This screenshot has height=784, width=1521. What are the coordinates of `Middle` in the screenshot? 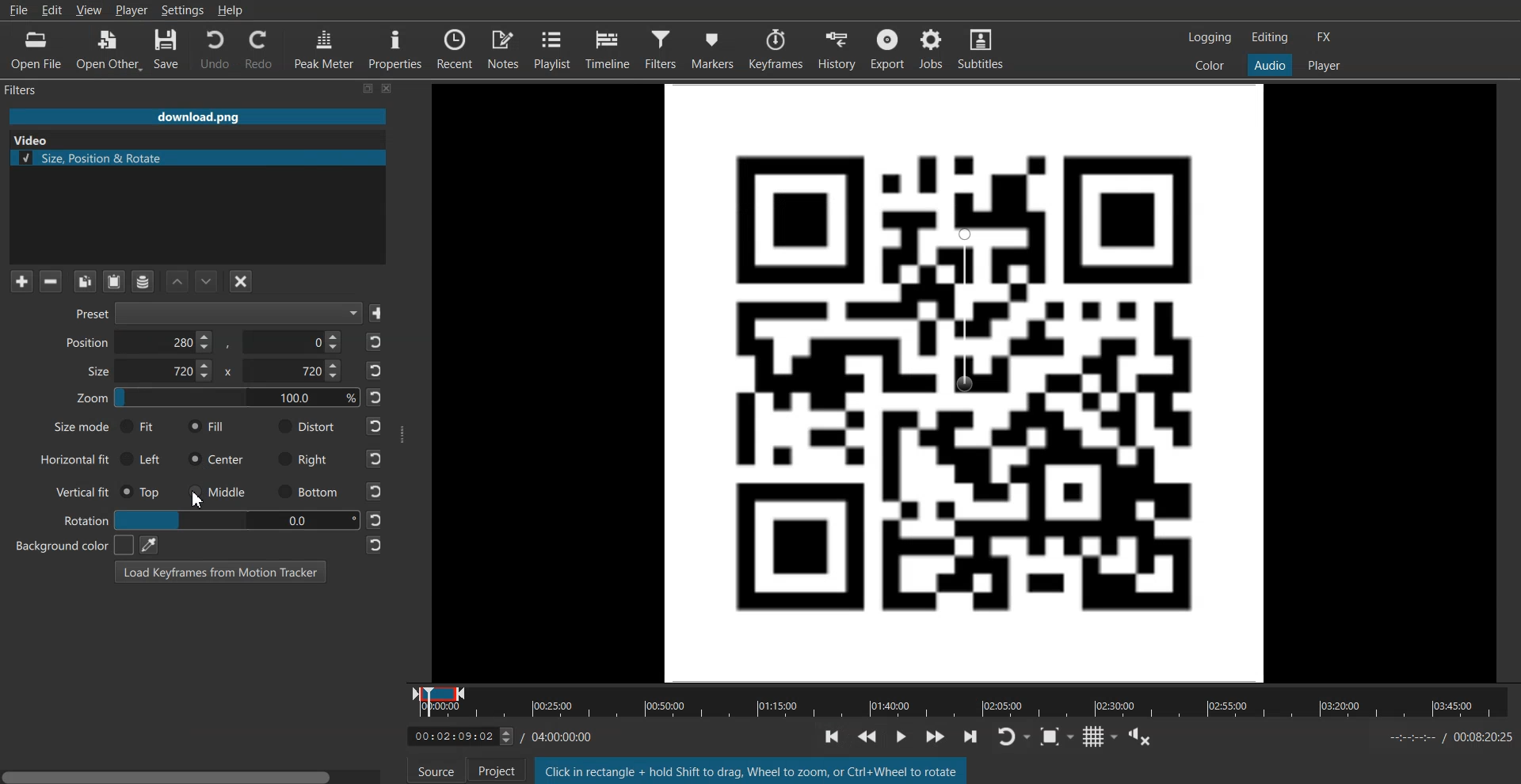 It's located at (218, 491).